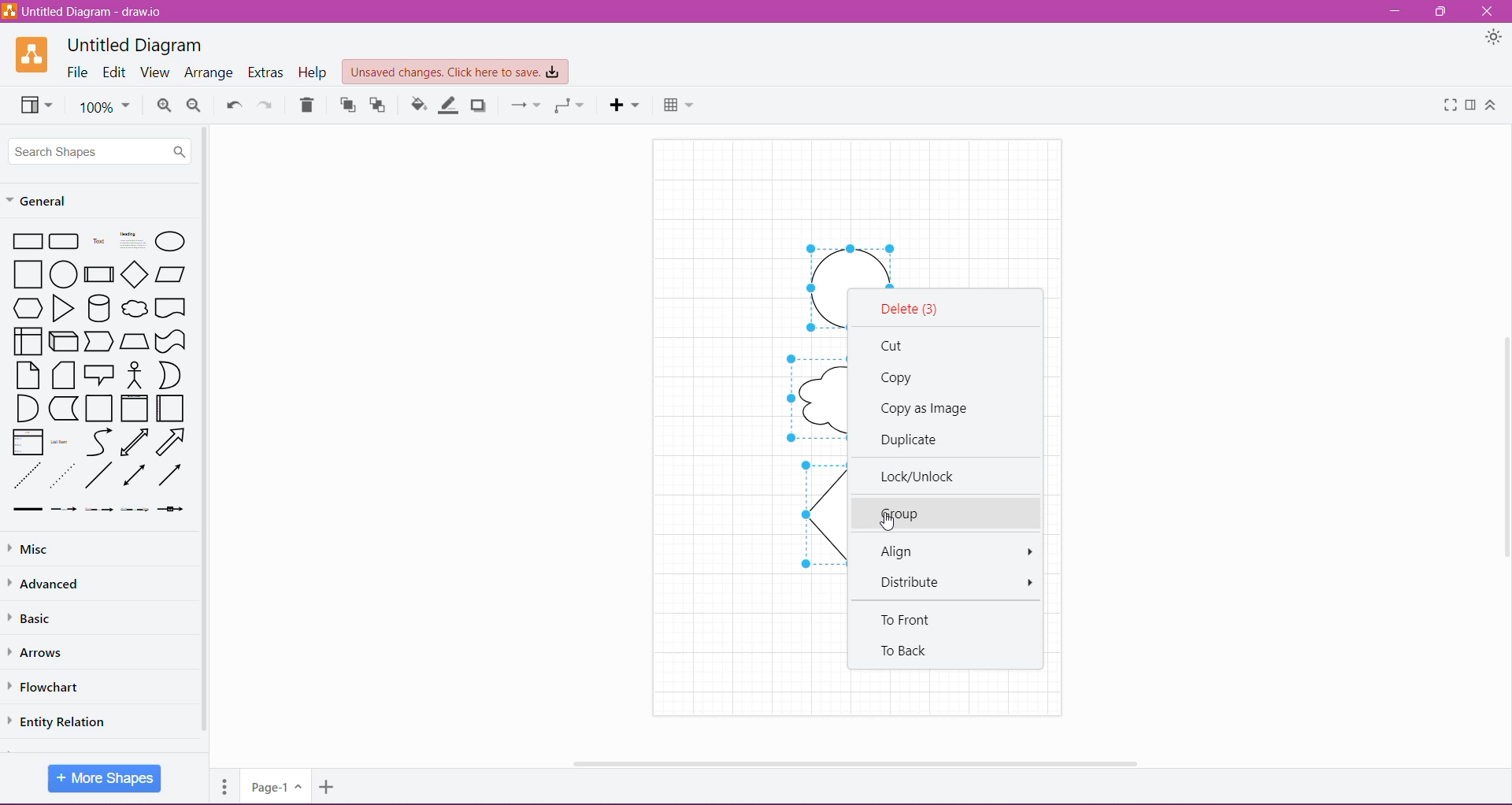 The image size is (1512, 805). I want to click on Lock/Unlock, so click(922, 476).